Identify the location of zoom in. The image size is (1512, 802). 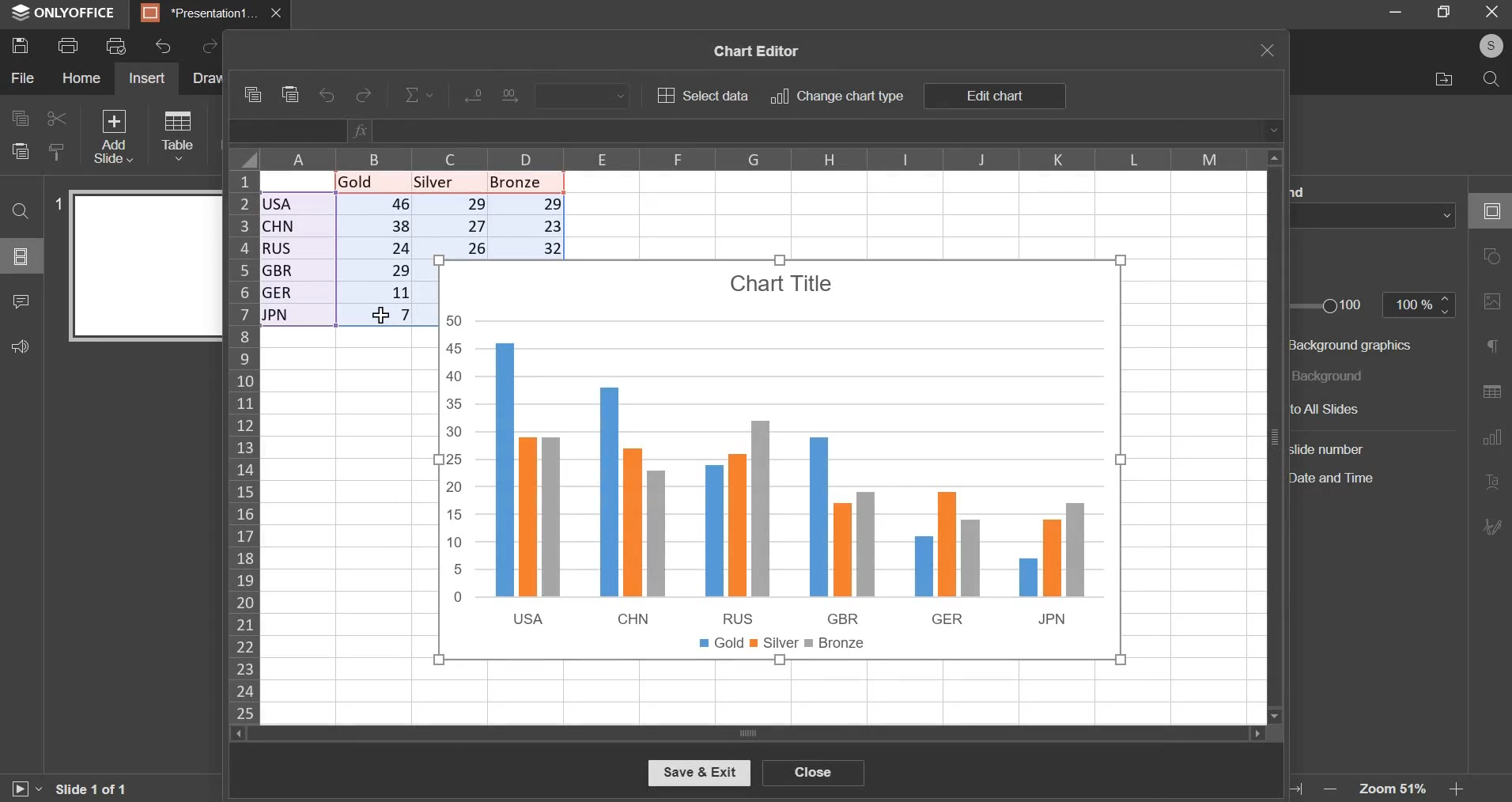
(1457, 790).